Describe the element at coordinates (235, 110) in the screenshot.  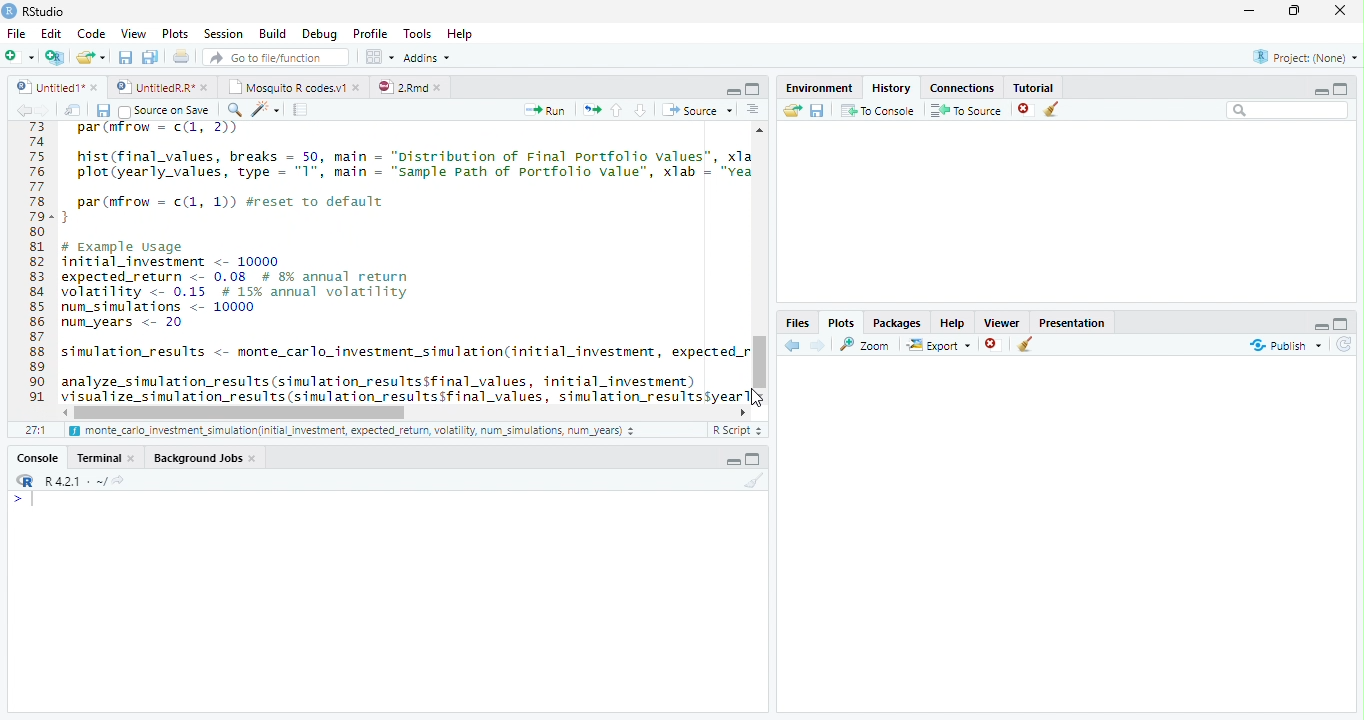
I see `Find and replace` at that location.